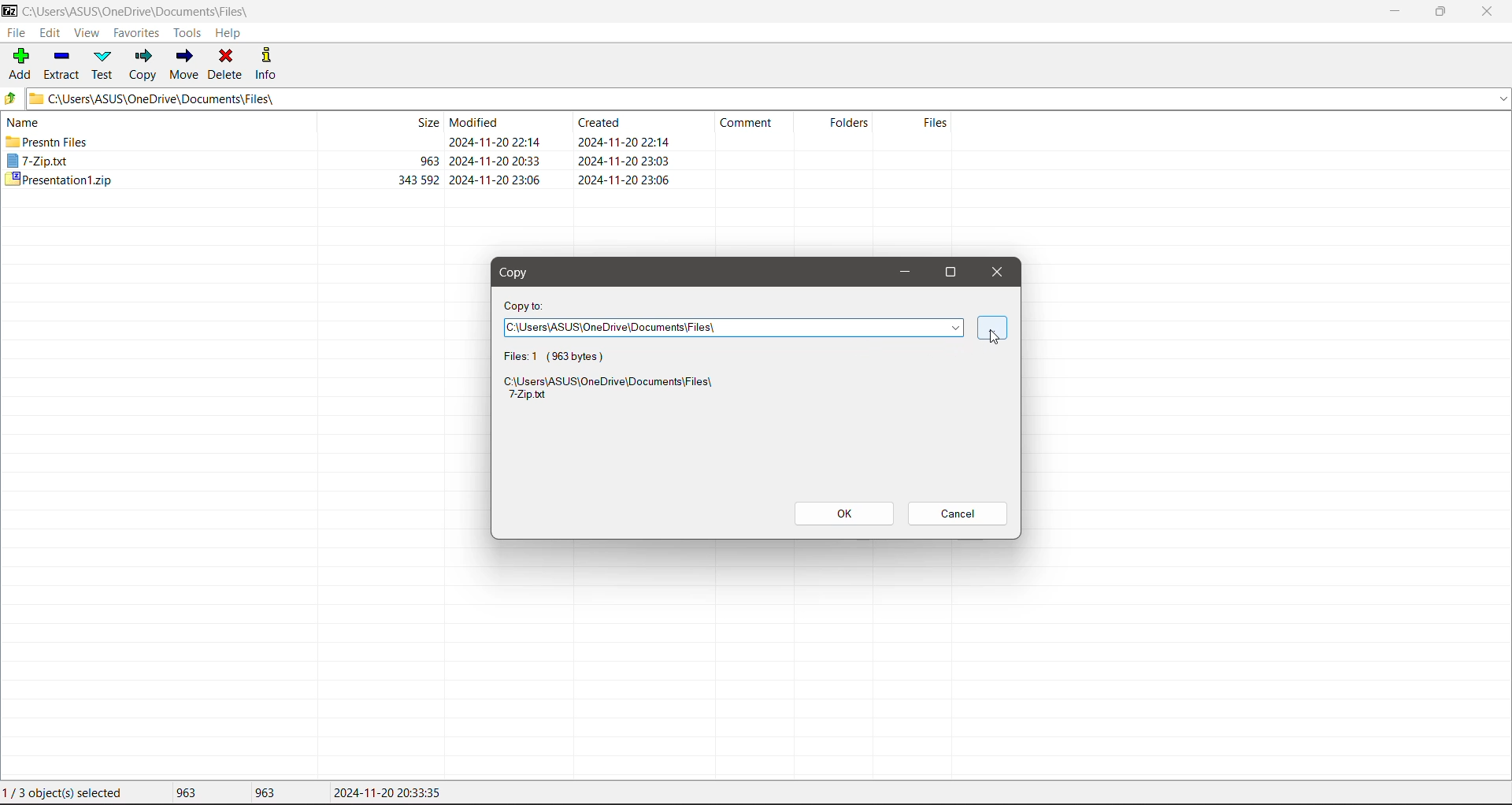  I want to click on Move, so click(187, 65).